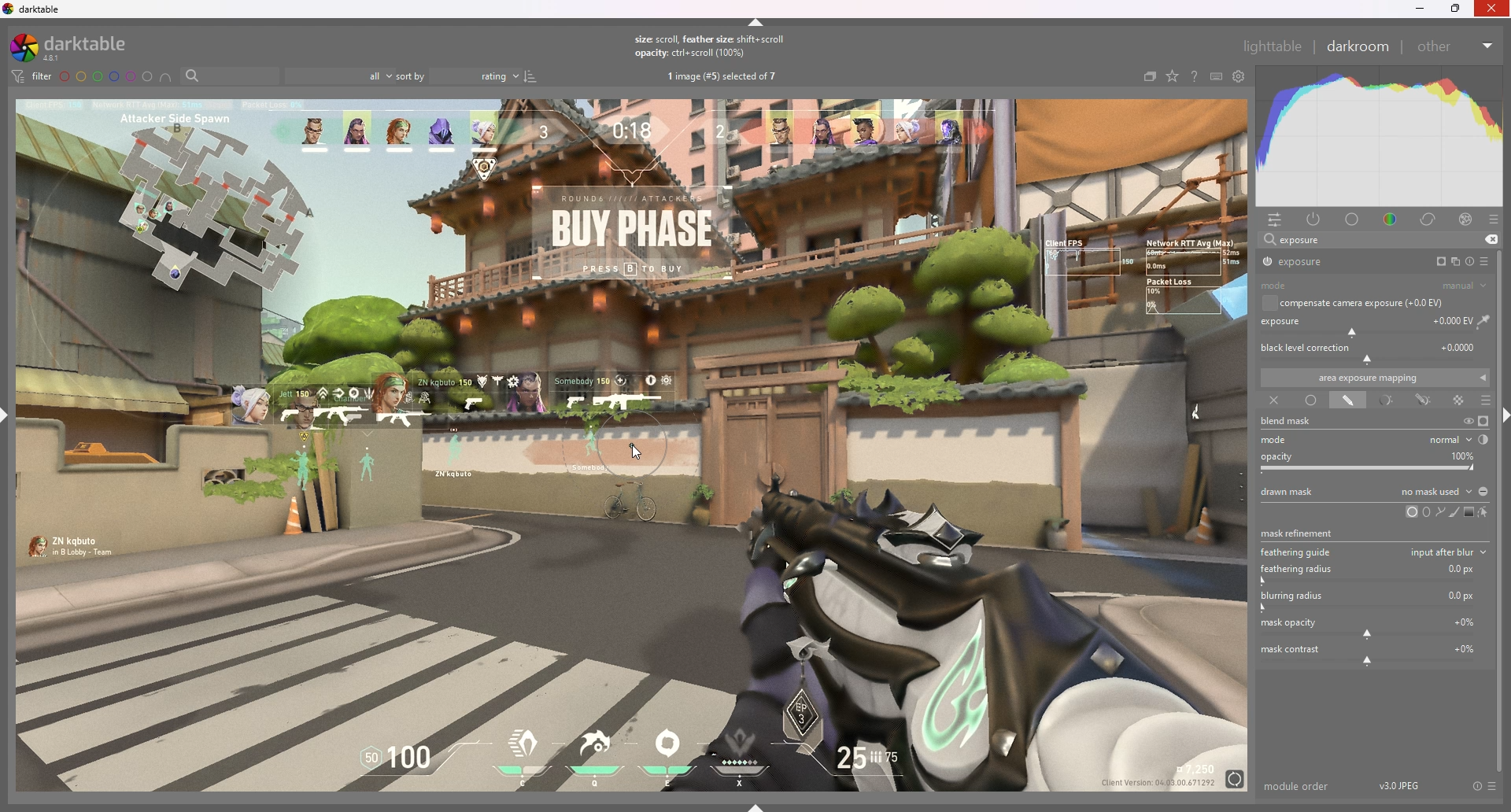 The image size is (1511, 812). I want to click on blending options, so click(1487, 401).